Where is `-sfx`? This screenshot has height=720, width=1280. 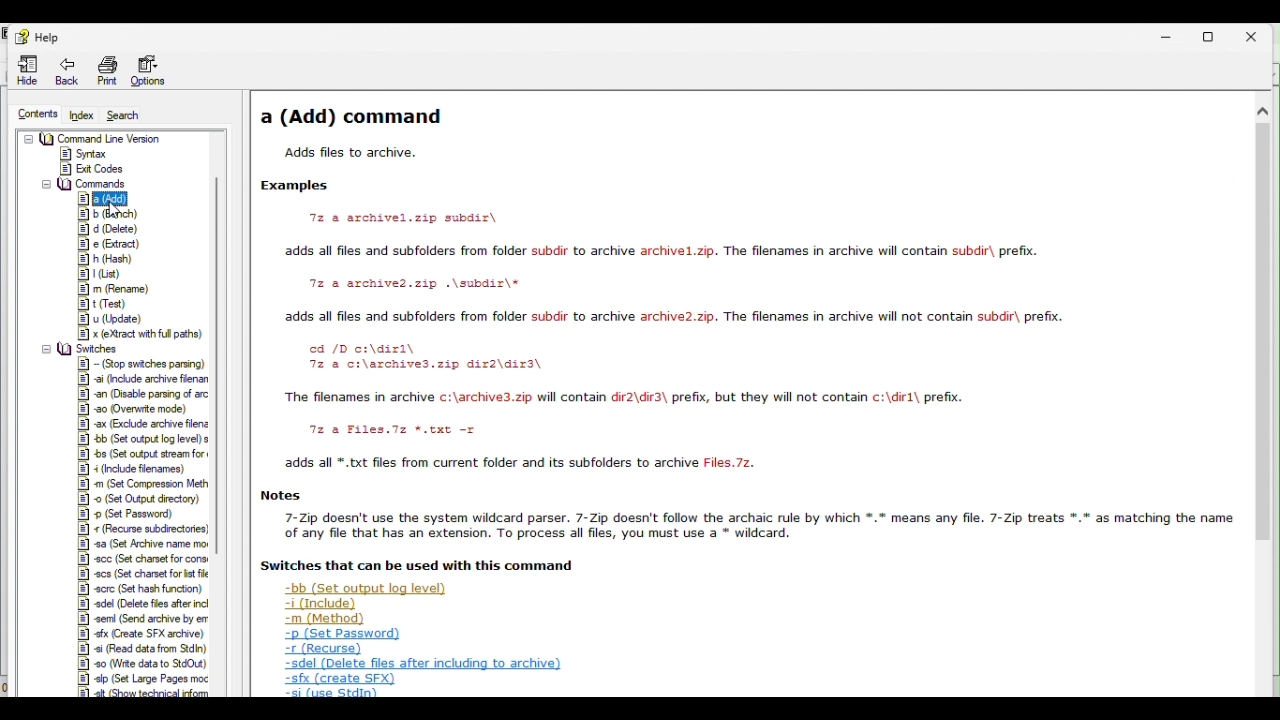
-sfx is located at coordinates (339, 679).